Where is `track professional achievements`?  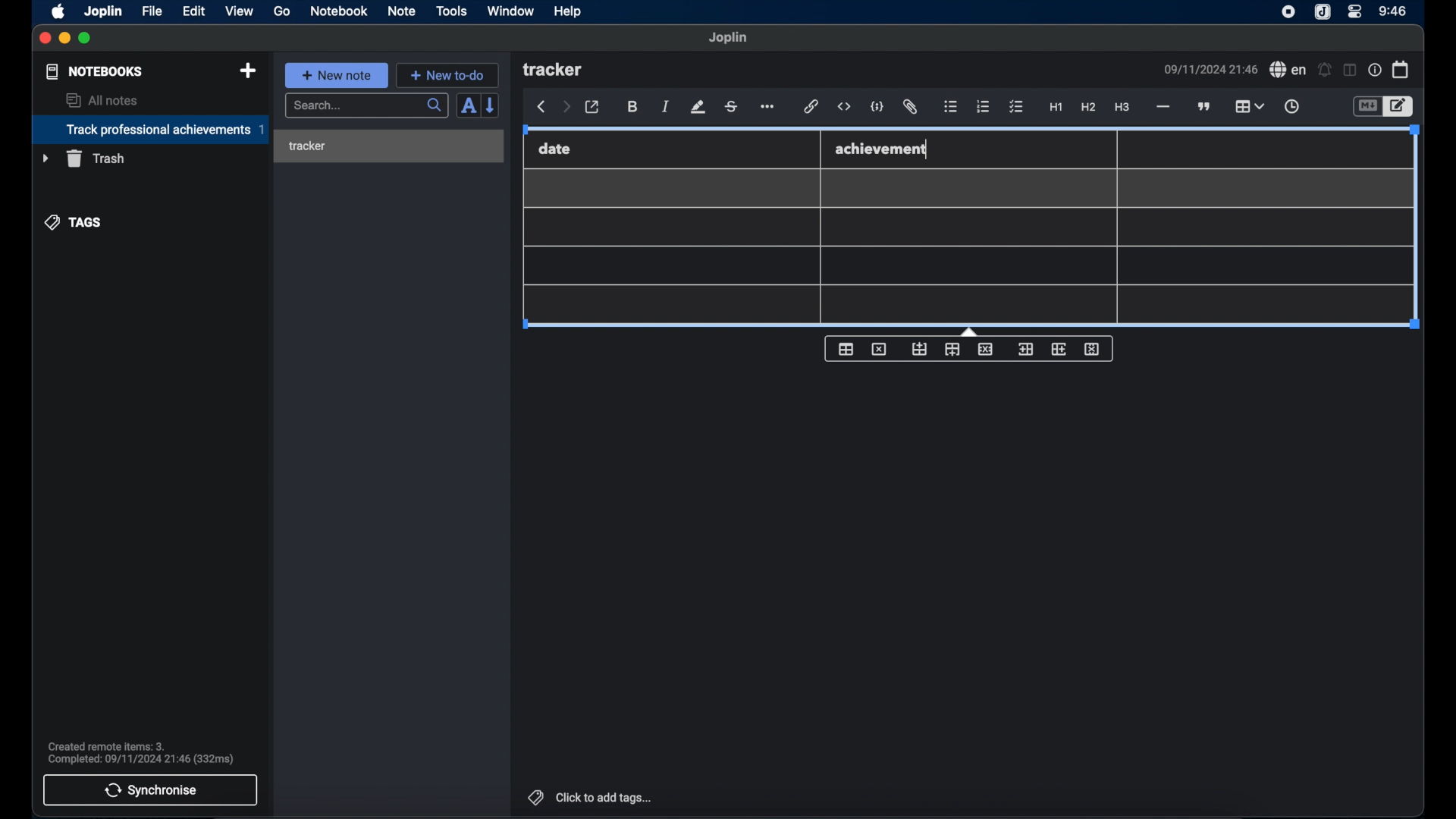
track professional achievements is located at coordinates (149, 130).